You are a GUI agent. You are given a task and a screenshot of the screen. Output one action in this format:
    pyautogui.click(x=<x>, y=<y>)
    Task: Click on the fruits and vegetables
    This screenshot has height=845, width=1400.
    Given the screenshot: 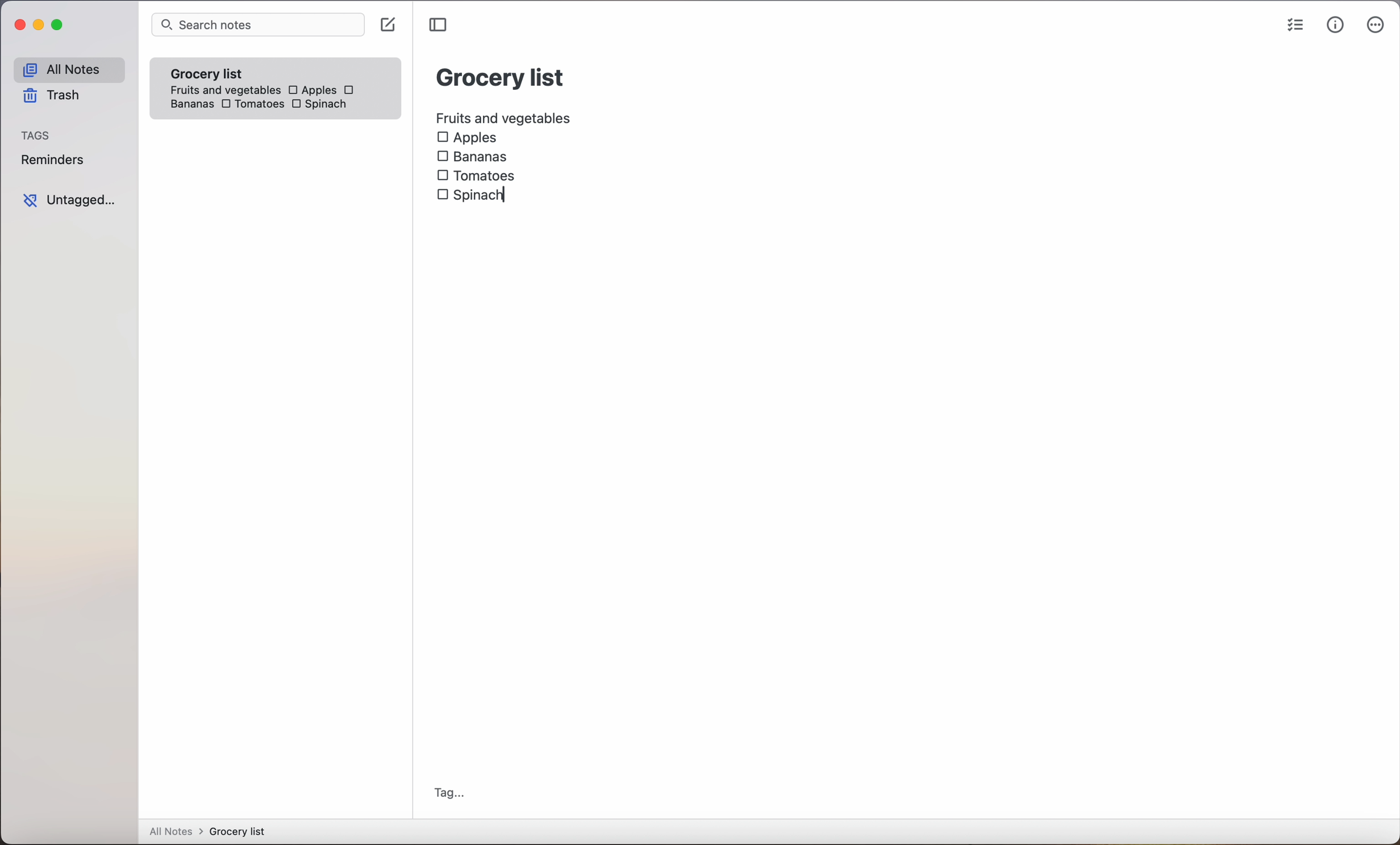 What is the action you would take?
    pyautogui.click(x=505, y=116)
    